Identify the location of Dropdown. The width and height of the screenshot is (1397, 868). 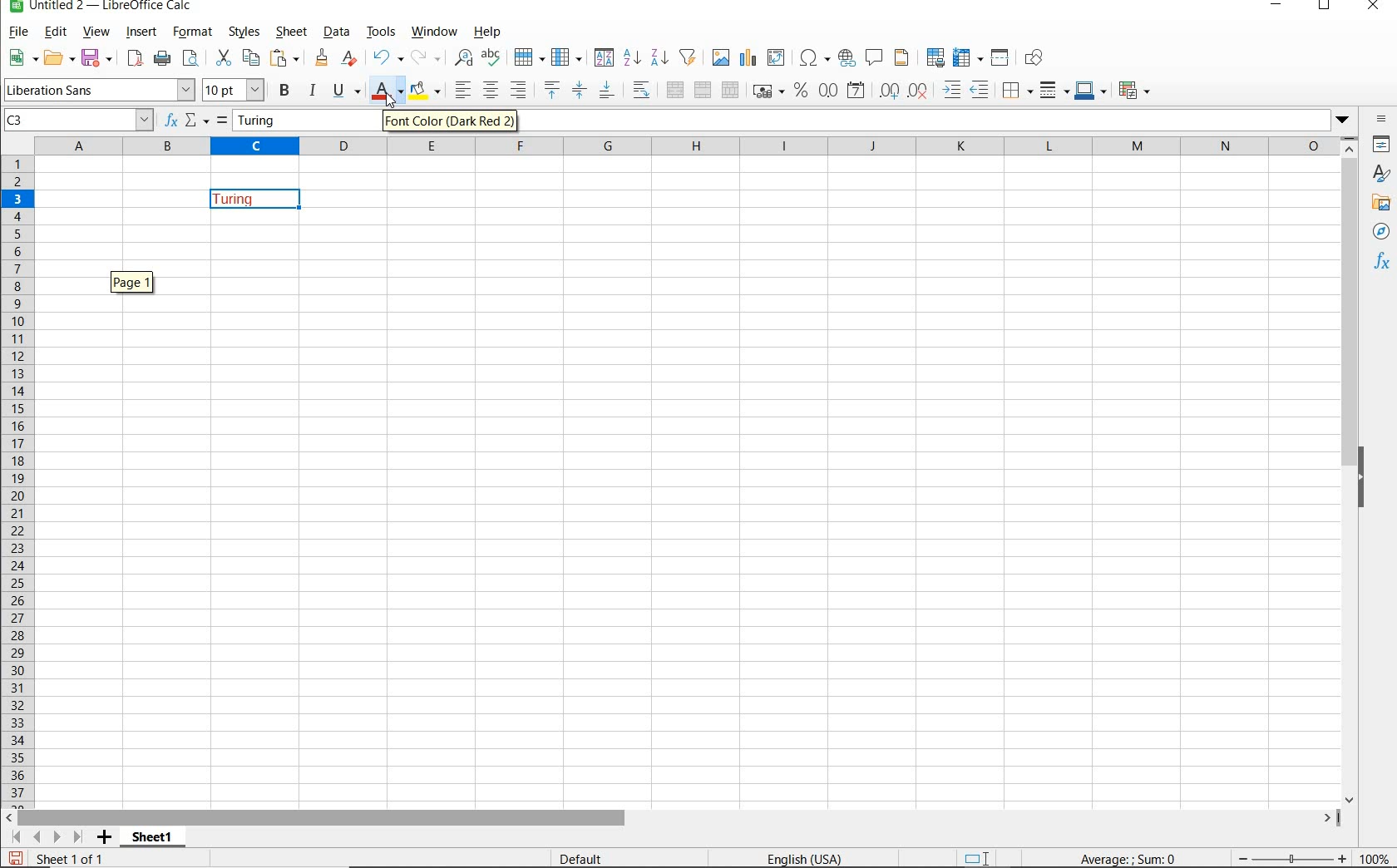
(1342, 121).